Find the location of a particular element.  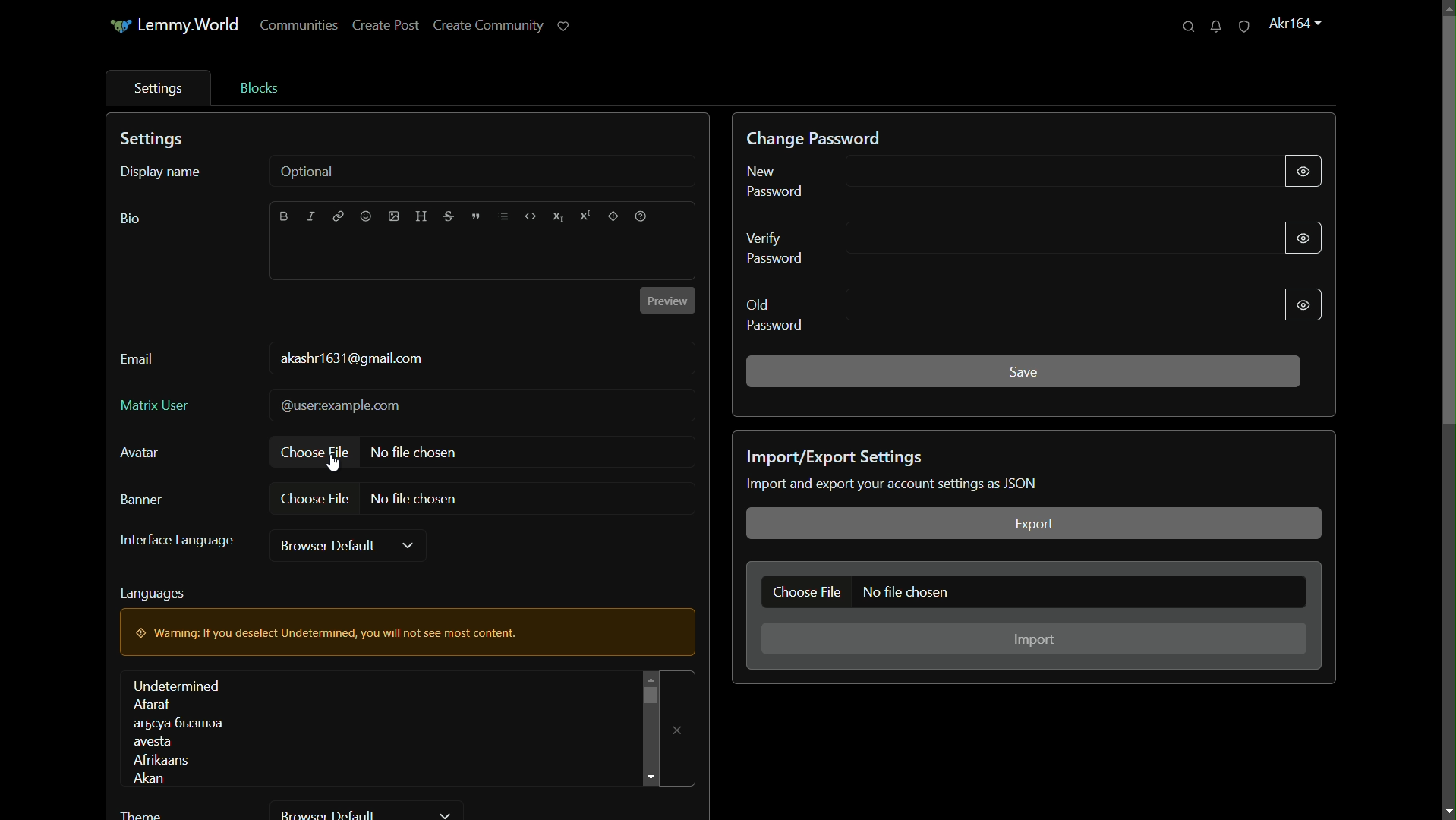

text is located at coordinates (894, 484).